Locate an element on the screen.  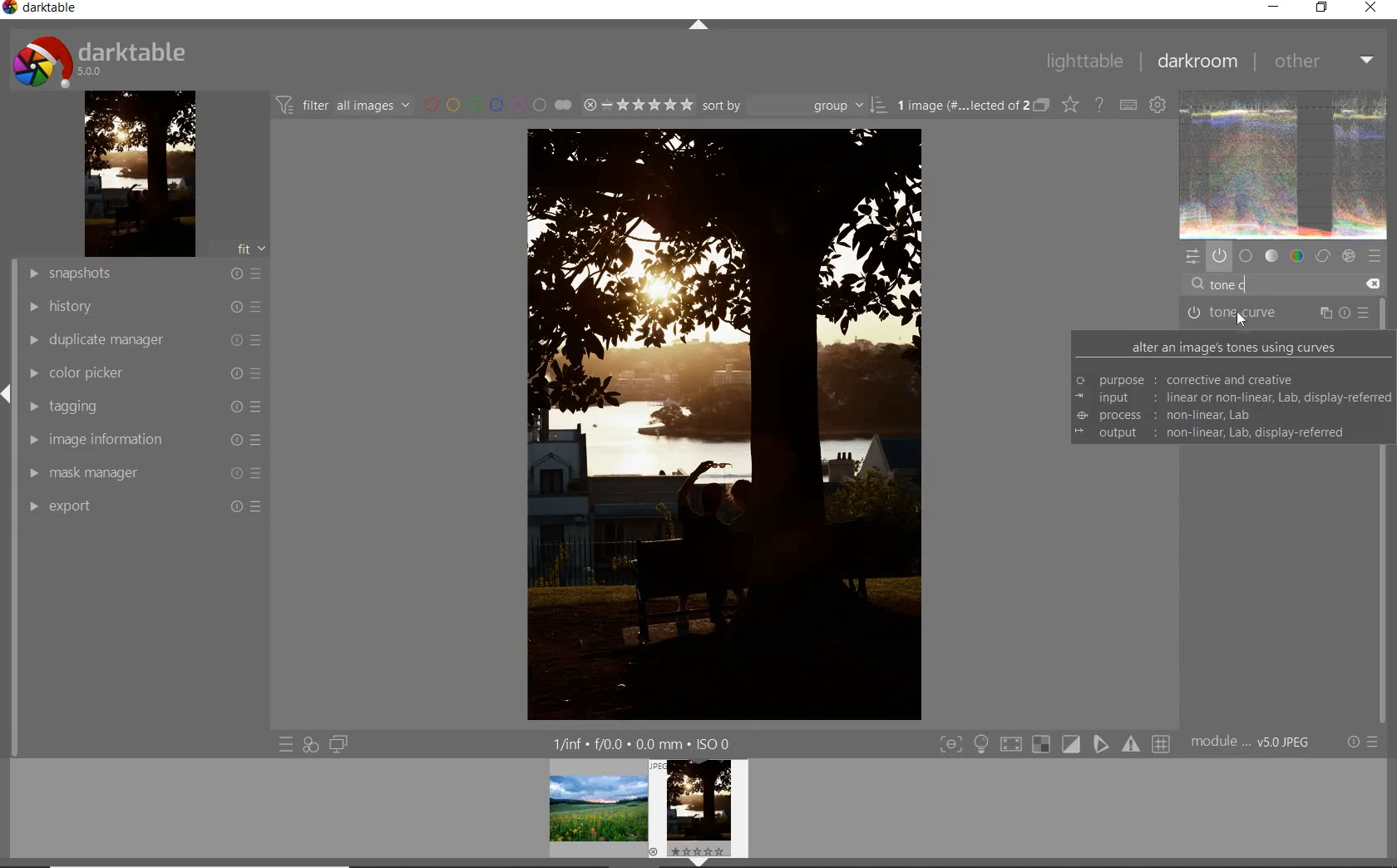
quick access for applying any of your styles is located at coordinates (310, 744).